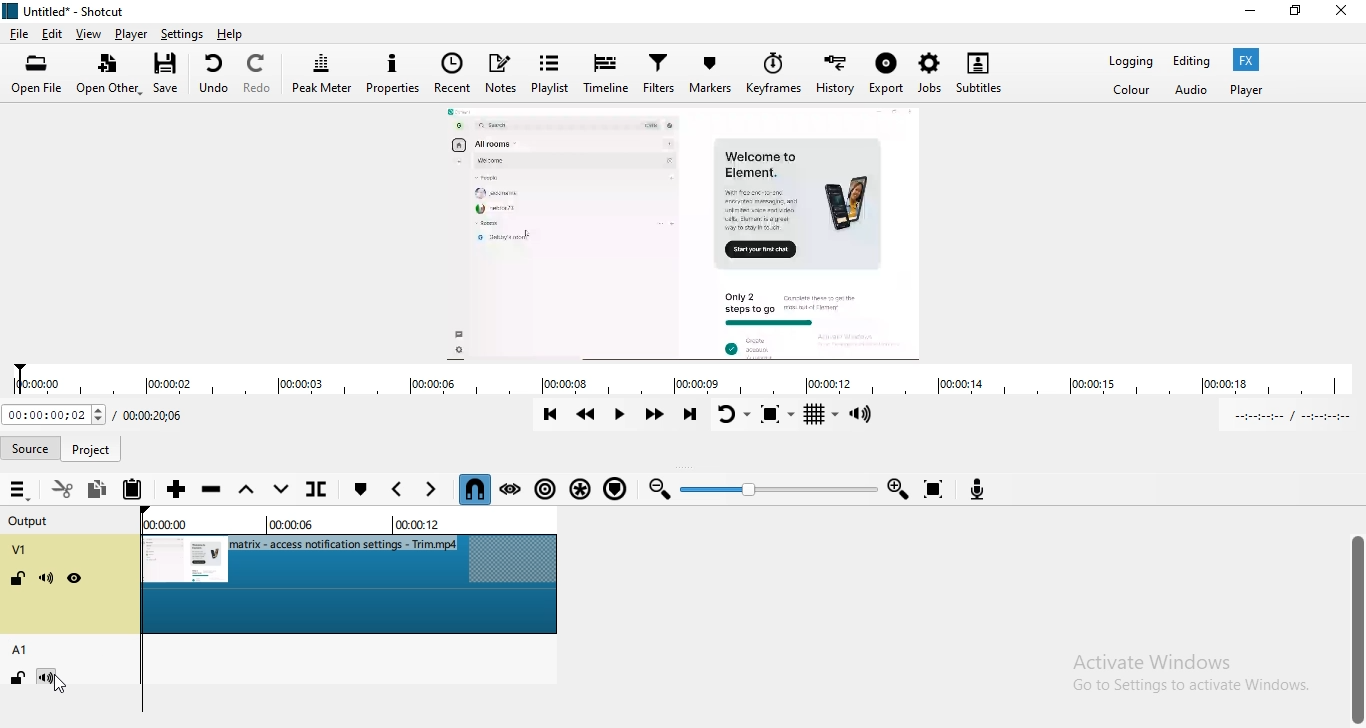 The width and height of the screenshot is (1366, 728). What do you see at coordinates (1297, 13) in the screenshot?
I see `Restore` at bounding box center [1297, 13].